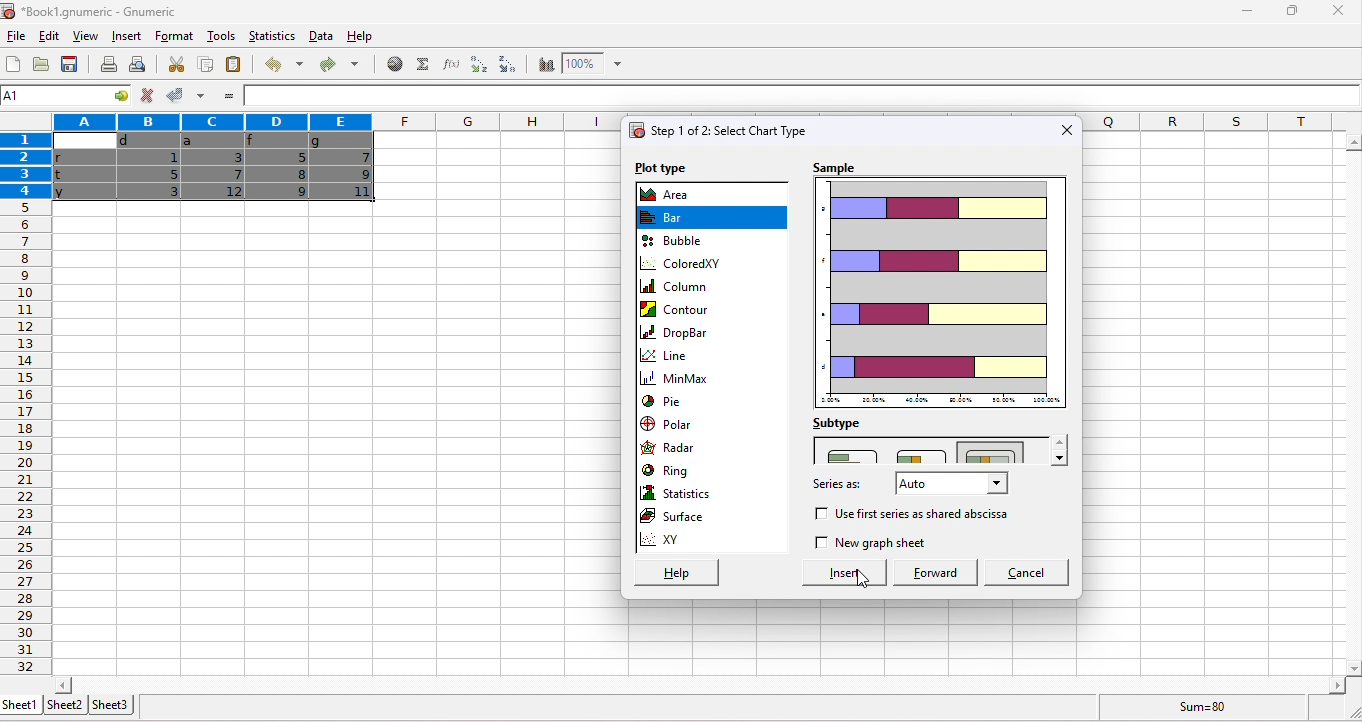 Image resolution: width=1362 pixels, height=722 pixels. Describe the element at coordinates (108, 64) in the screenshot. I see `print` at that location.